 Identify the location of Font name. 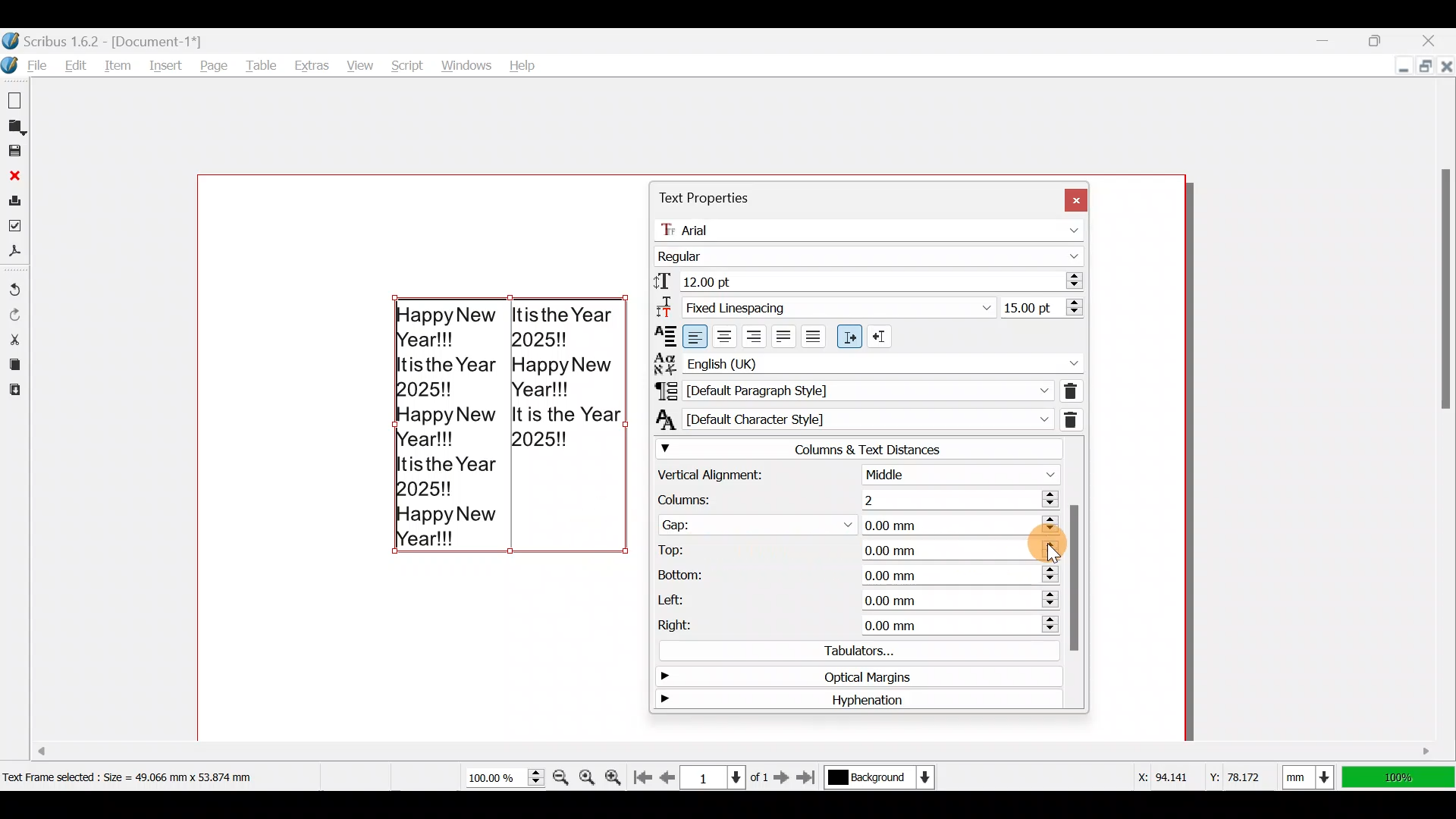
(873, 227).